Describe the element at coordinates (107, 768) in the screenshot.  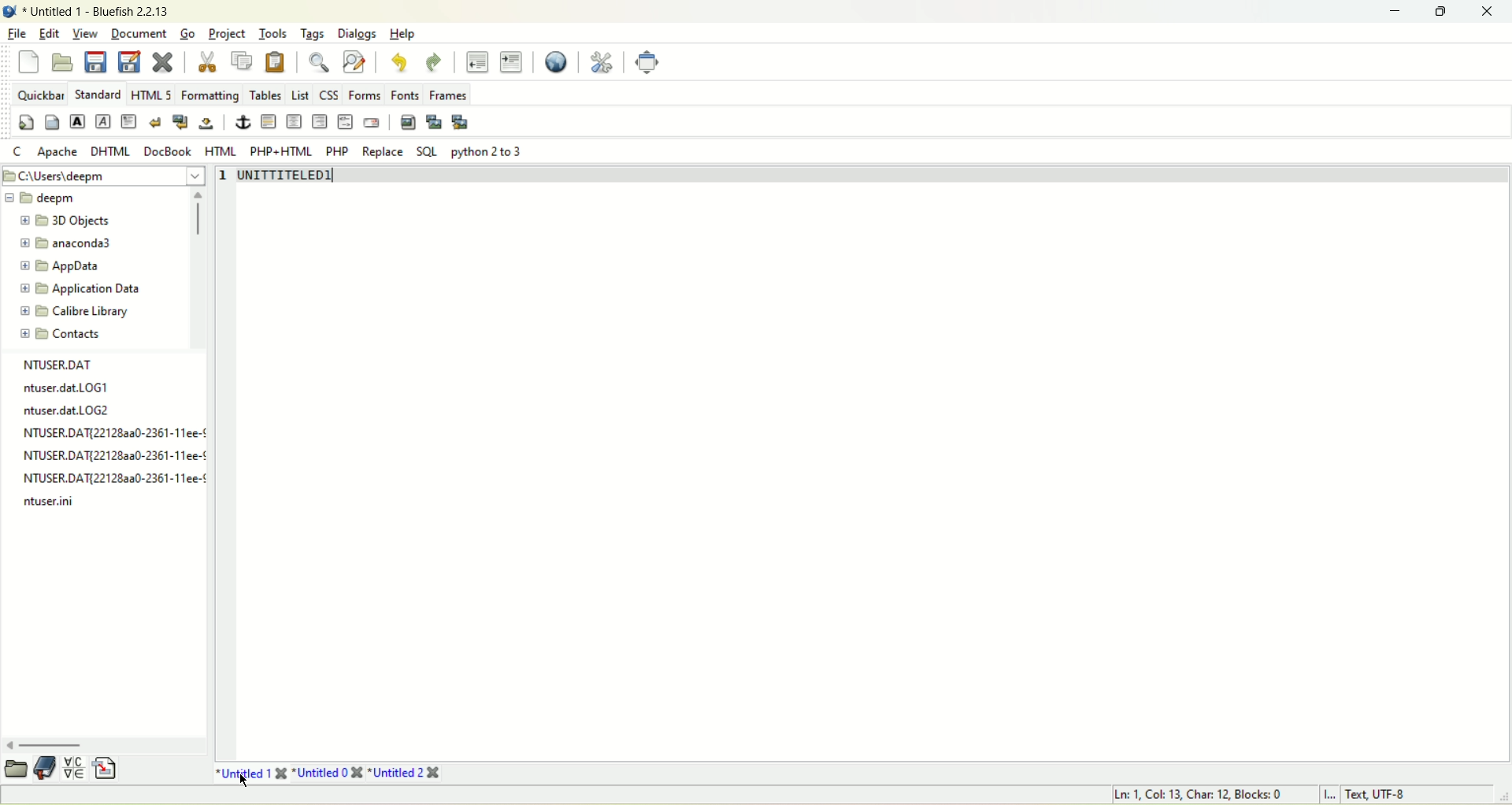
I see `insert file` at that location.